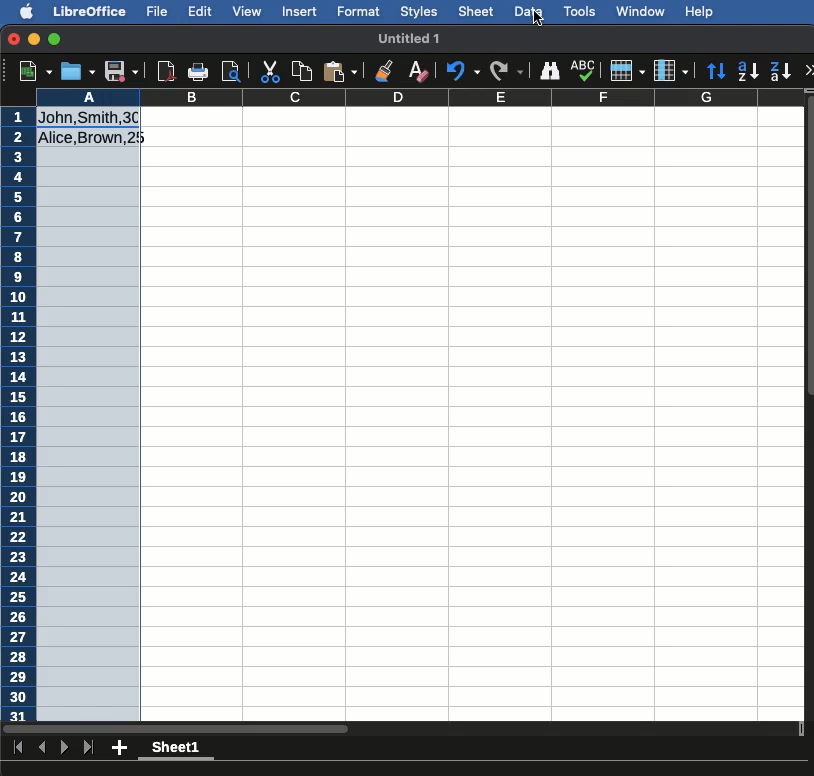 The height and width of the screenshot is (776, 814). Describe the element at coordinates (628, 69) in the screenshot. I see `Rows` at that location.